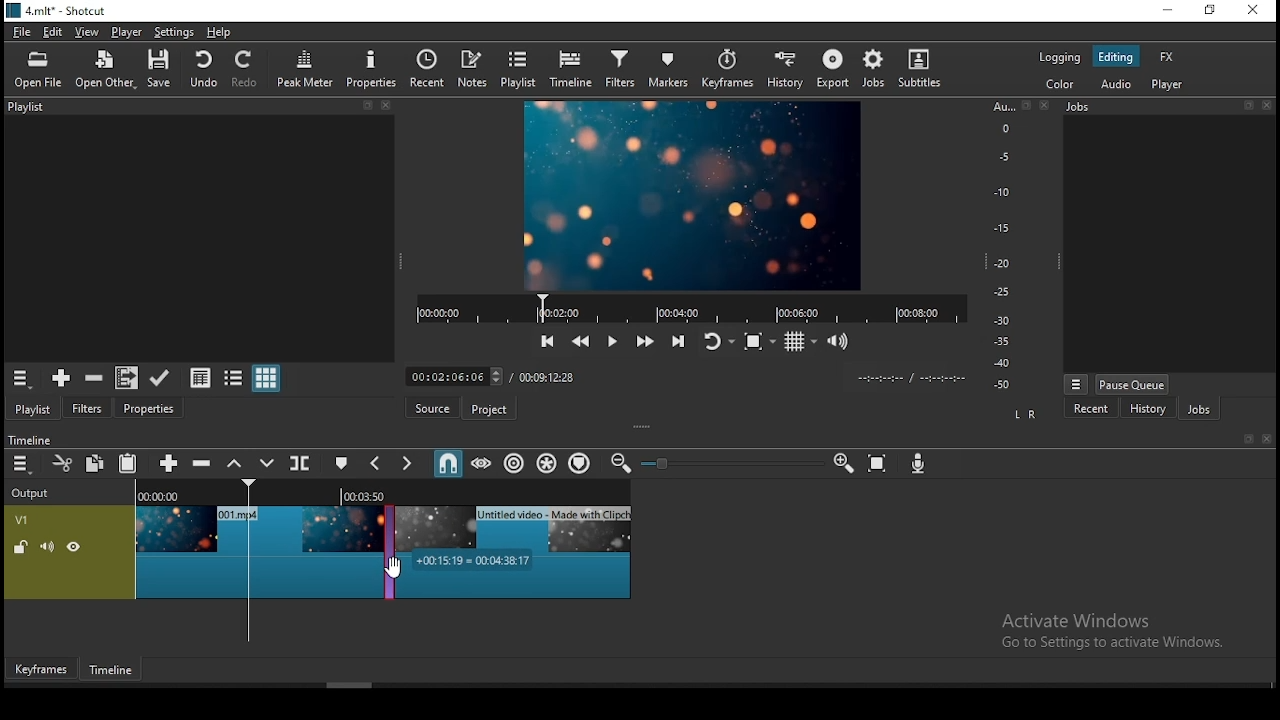 The height and width of the screenshot is (720, 1280). Describe the element at coordinates (22, 31) in the screenshot. I see `file` at that location.